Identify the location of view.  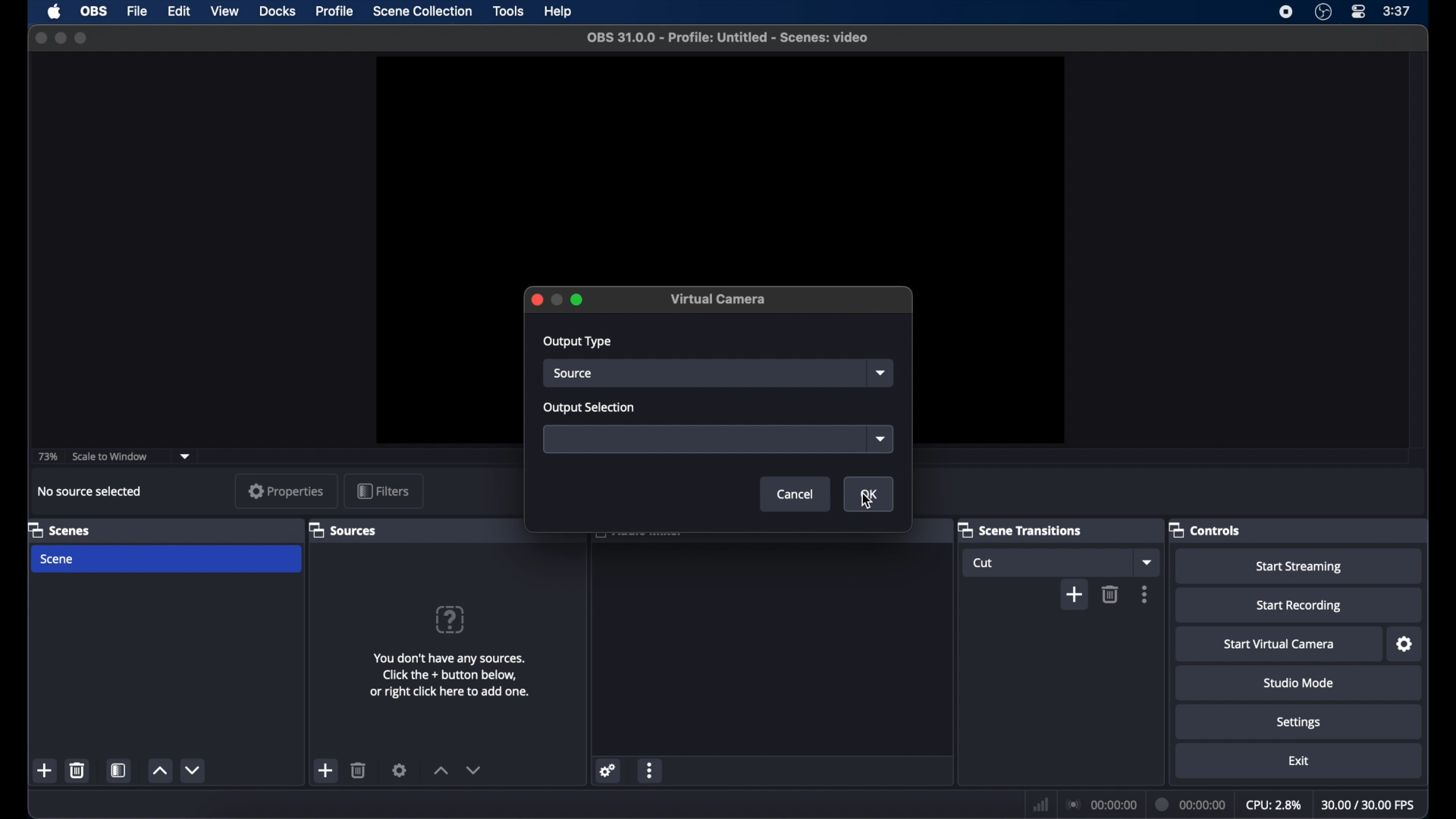
(224, 11).